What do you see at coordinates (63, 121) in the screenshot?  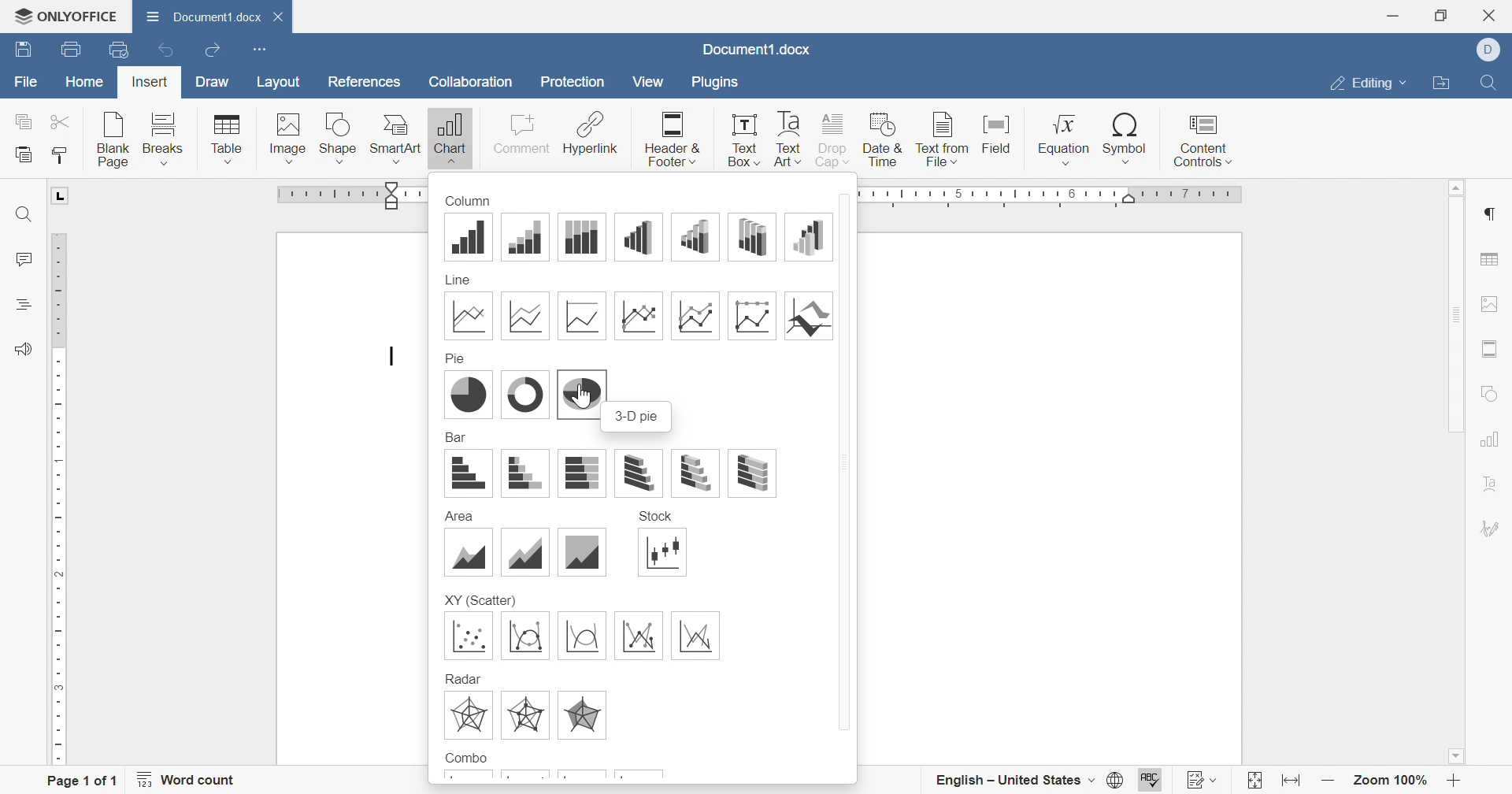 I see `Cut` at bounding box center [63, 121].